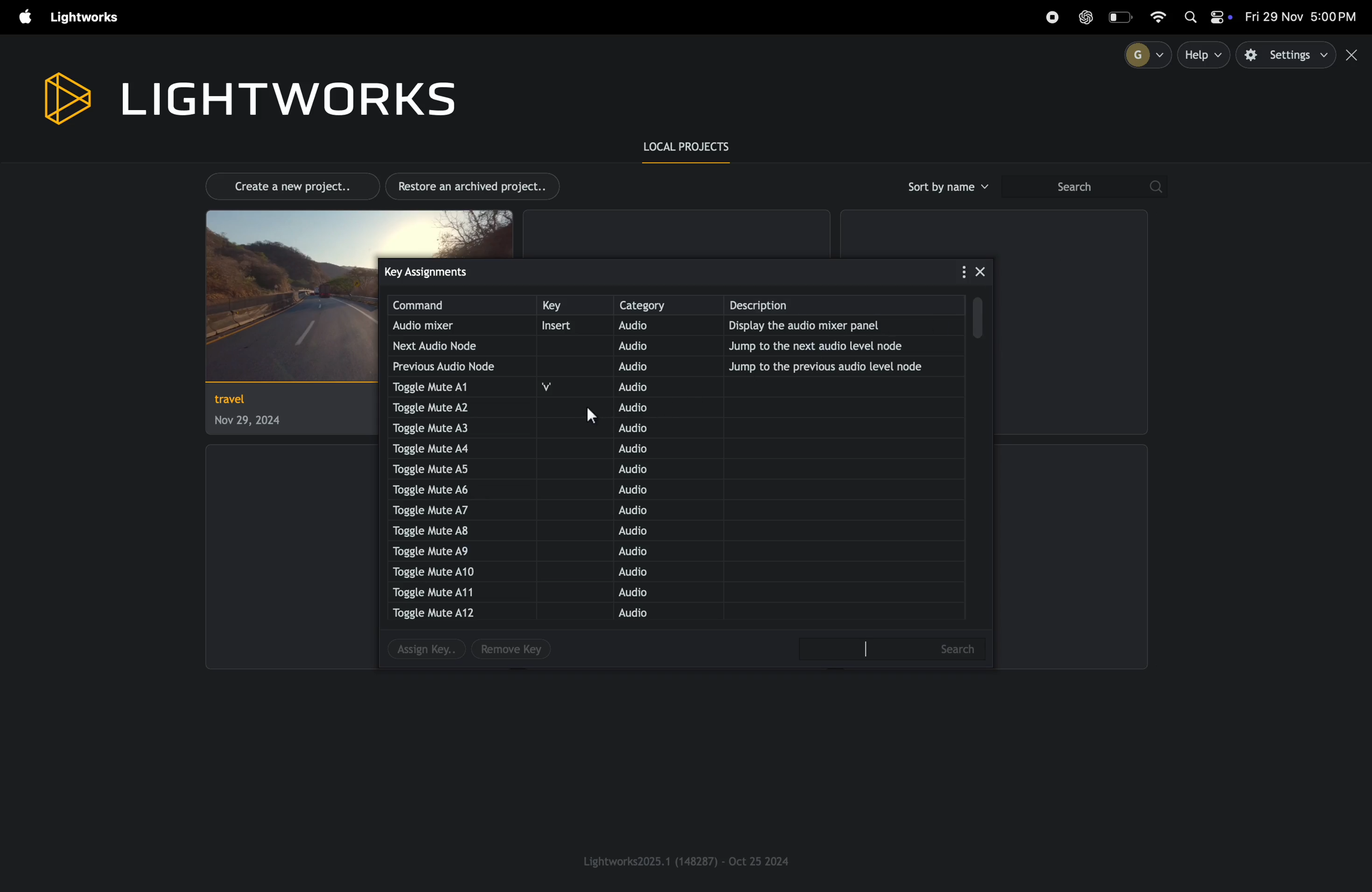 Image resolution: width=1372 pixels, height=892 pixels. I want to click on audio, so click(644, 449).